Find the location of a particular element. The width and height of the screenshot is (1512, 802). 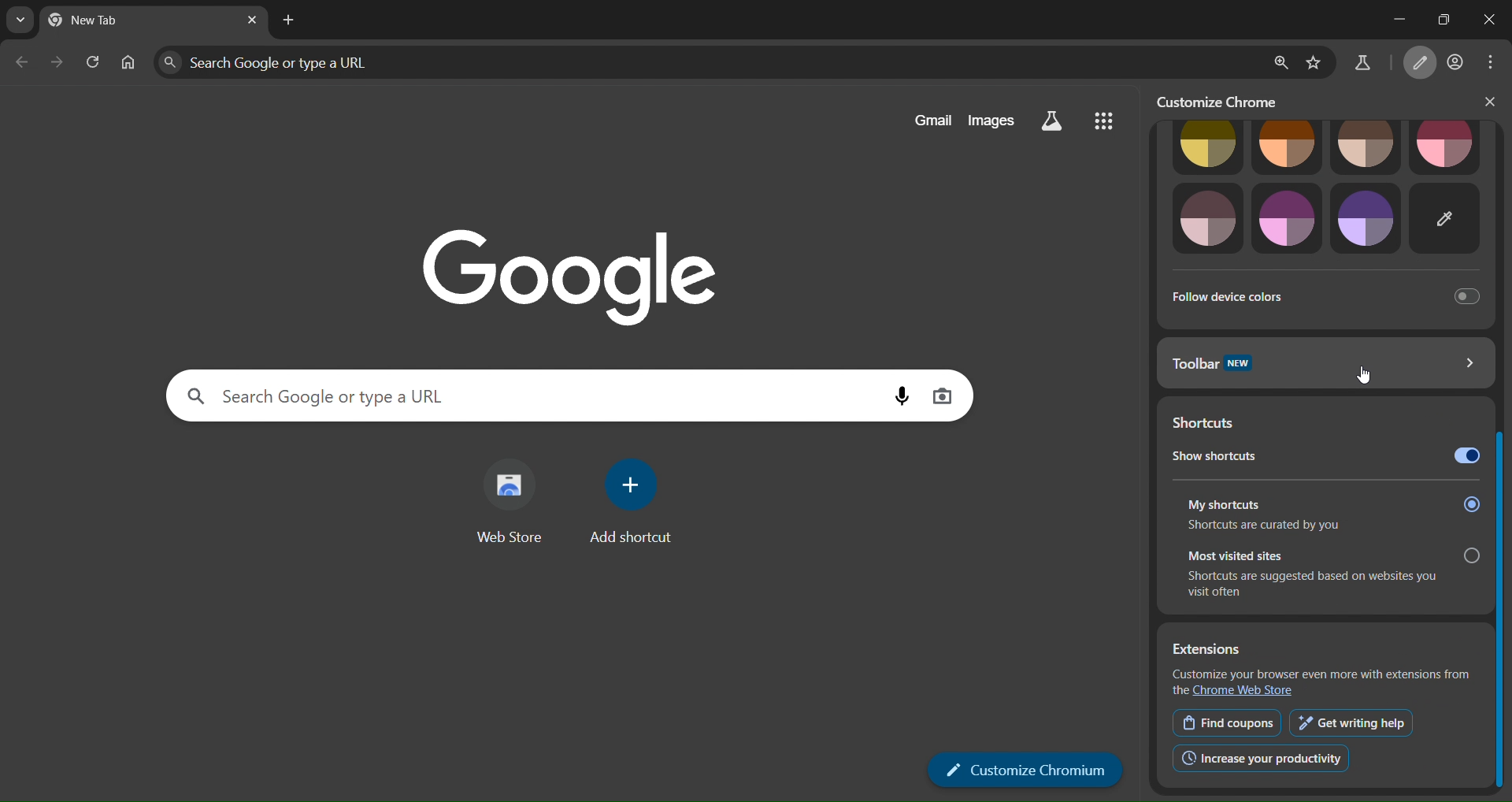

theme is located at coordinates (1444, 145).